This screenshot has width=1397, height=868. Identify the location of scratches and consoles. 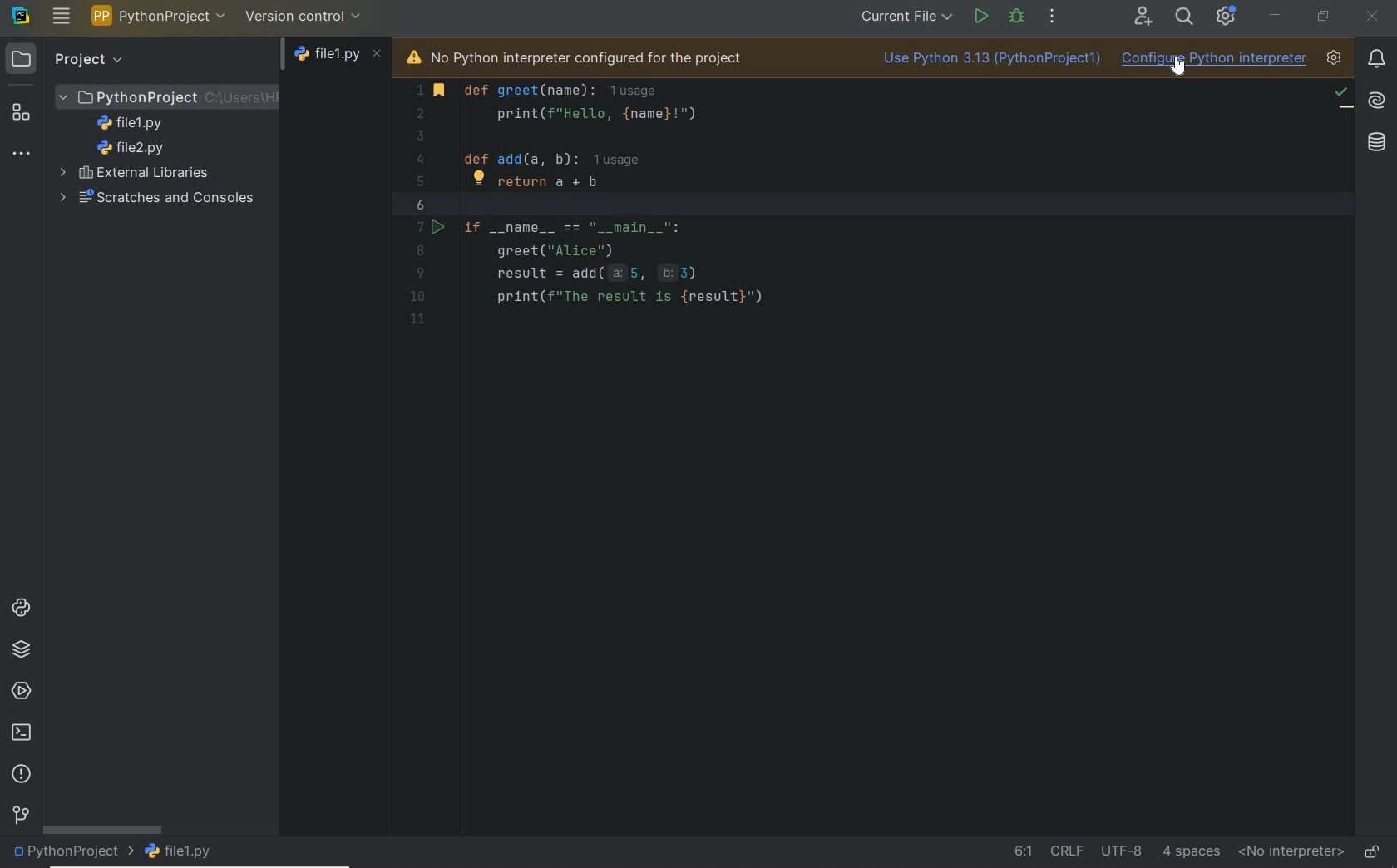
(152, 199).